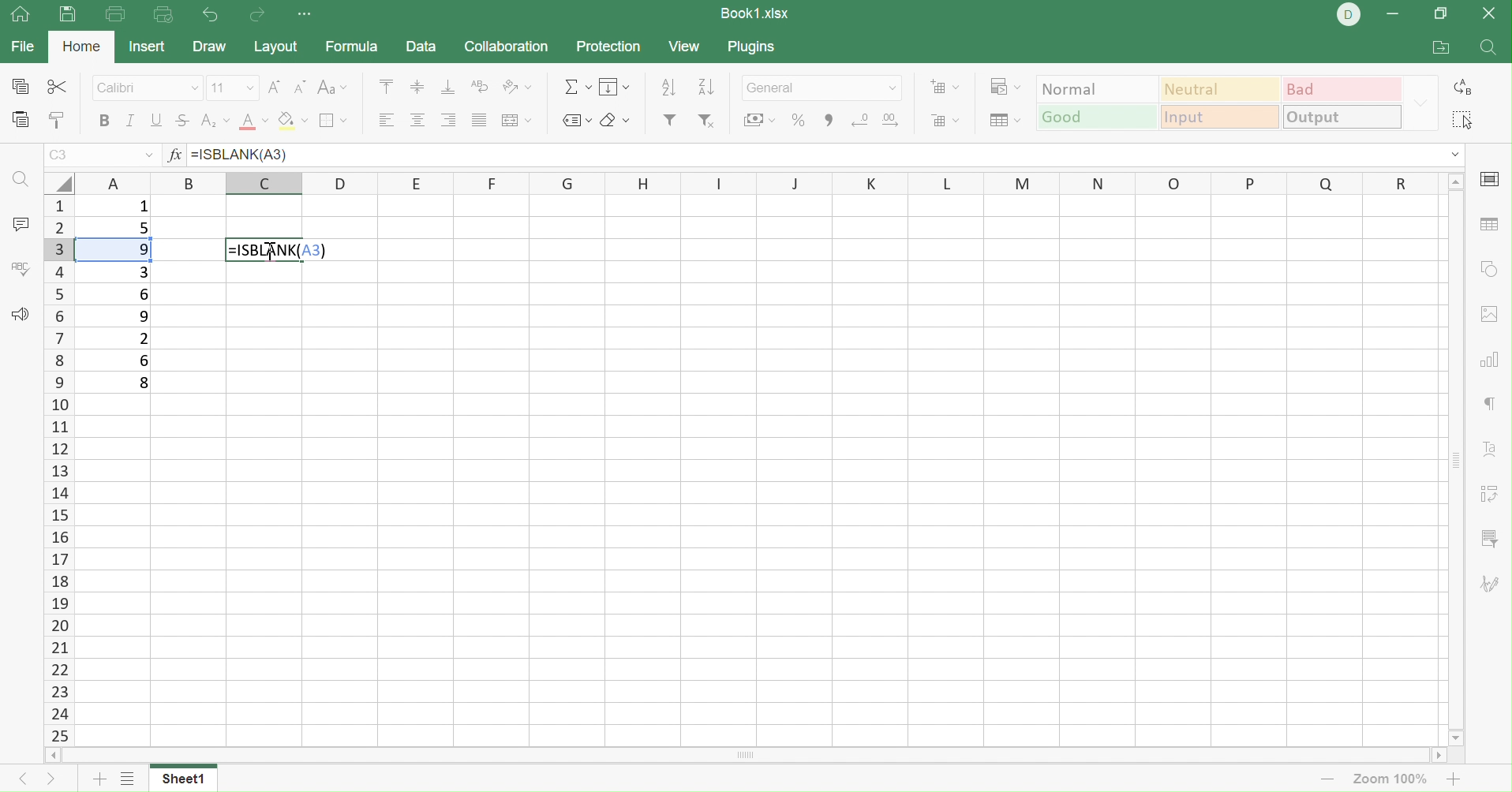  Describe the element at coordinates (1495, 494) in the screenshot. I see `Pivot table settings` at that location.